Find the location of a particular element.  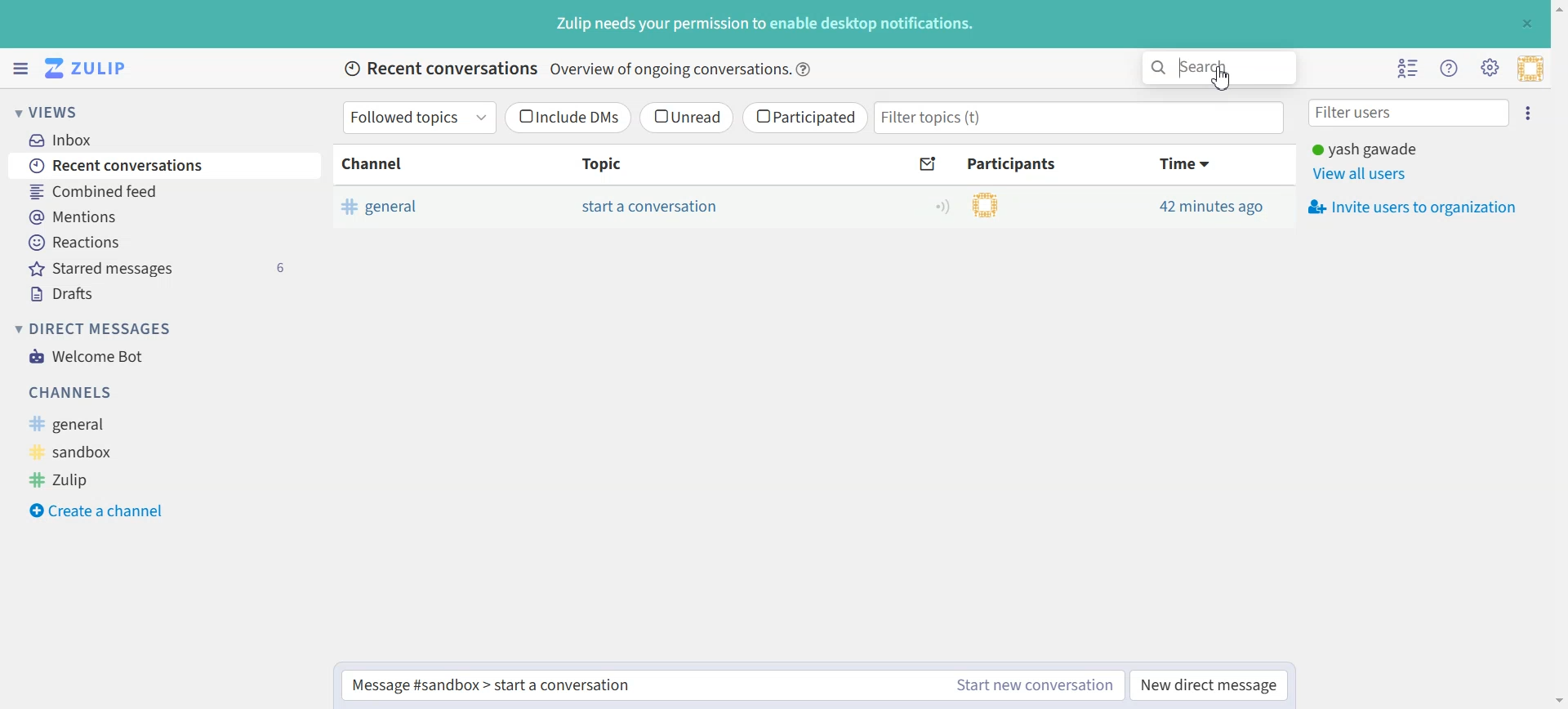

Cursor is located at coordinates (1221, 78).